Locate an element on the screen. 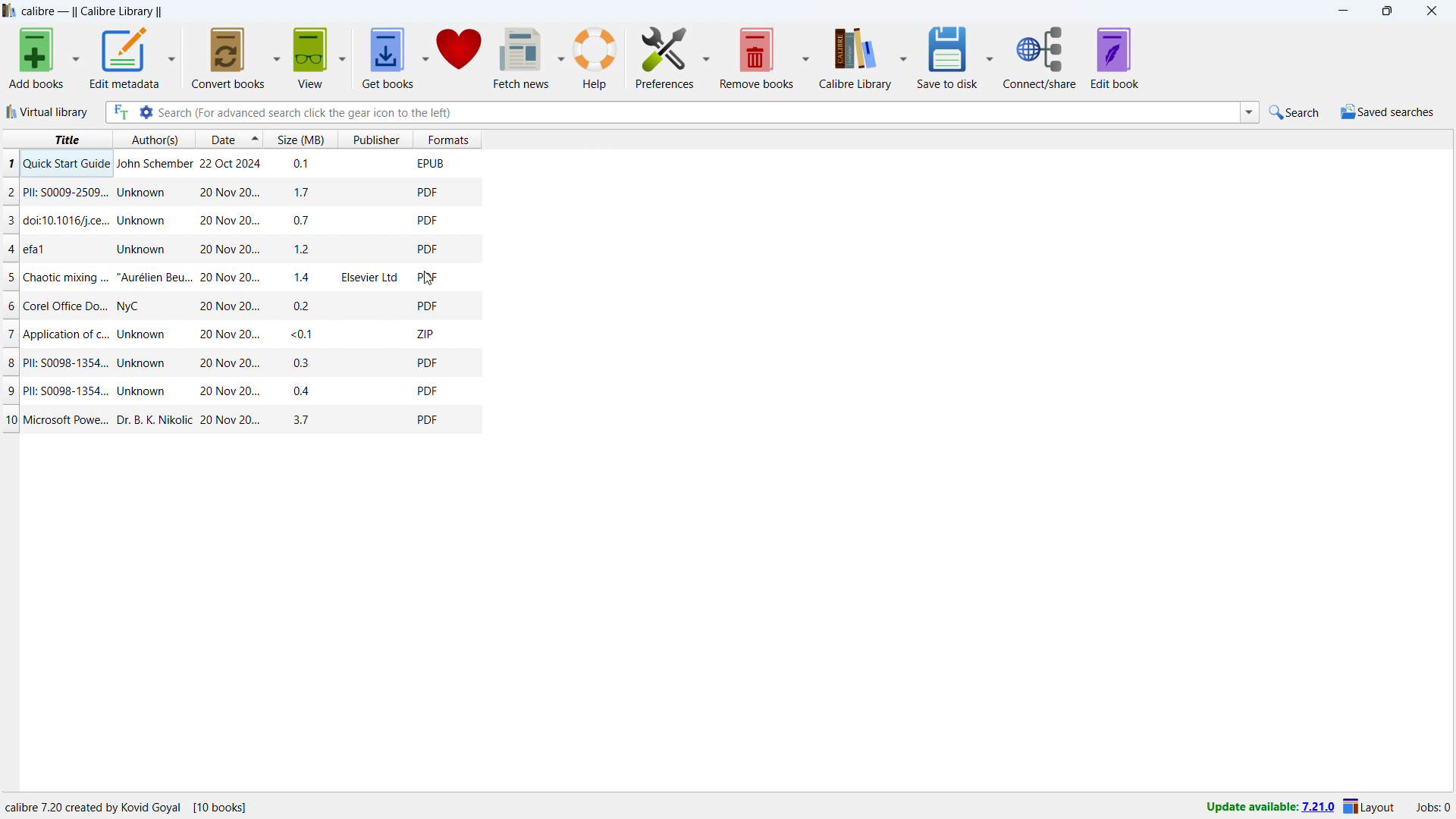 The image size is (1456, 819). view options is located at coordinates (344, 55).